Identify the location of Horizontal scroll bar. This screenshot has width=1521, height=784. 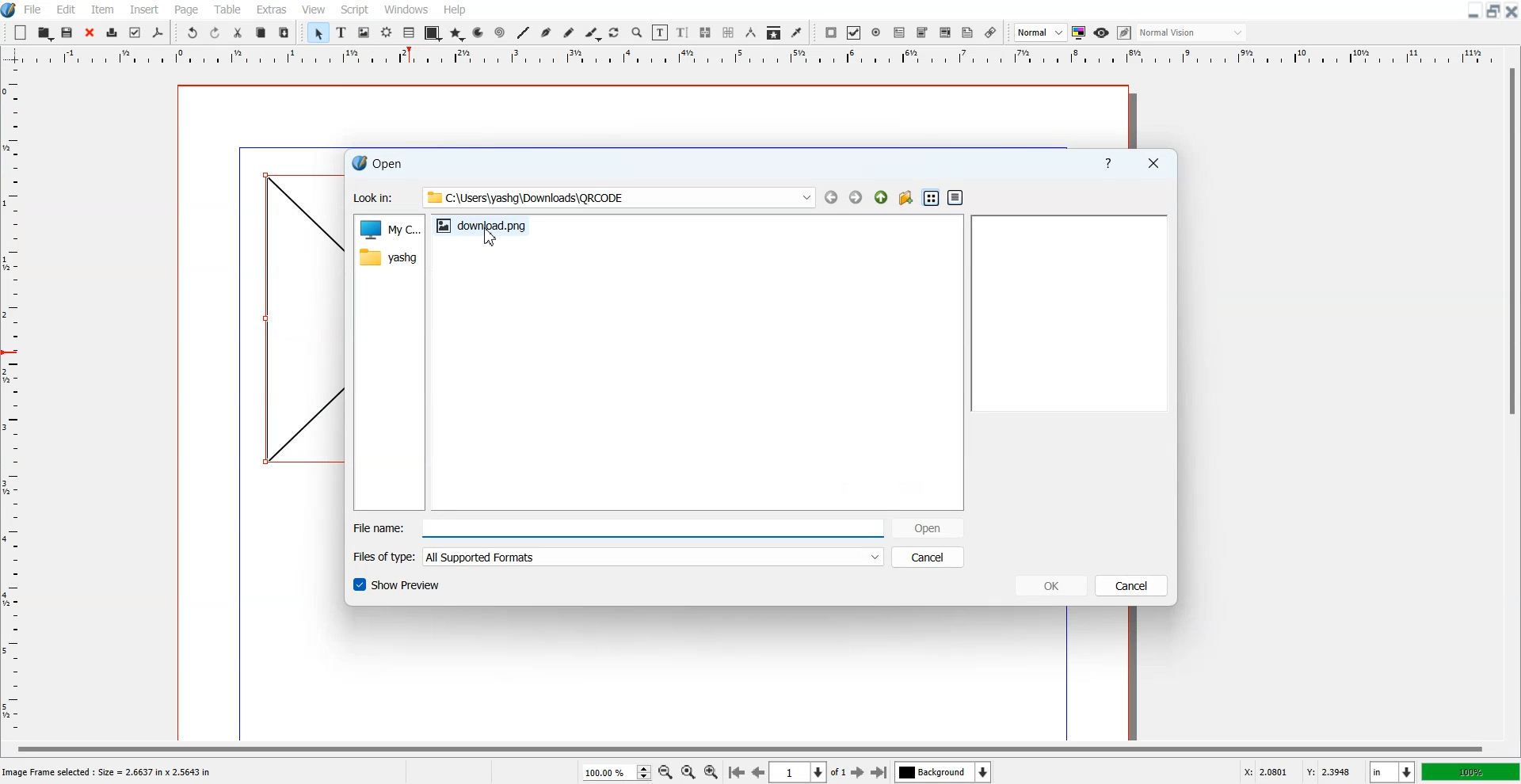
(746, 747).